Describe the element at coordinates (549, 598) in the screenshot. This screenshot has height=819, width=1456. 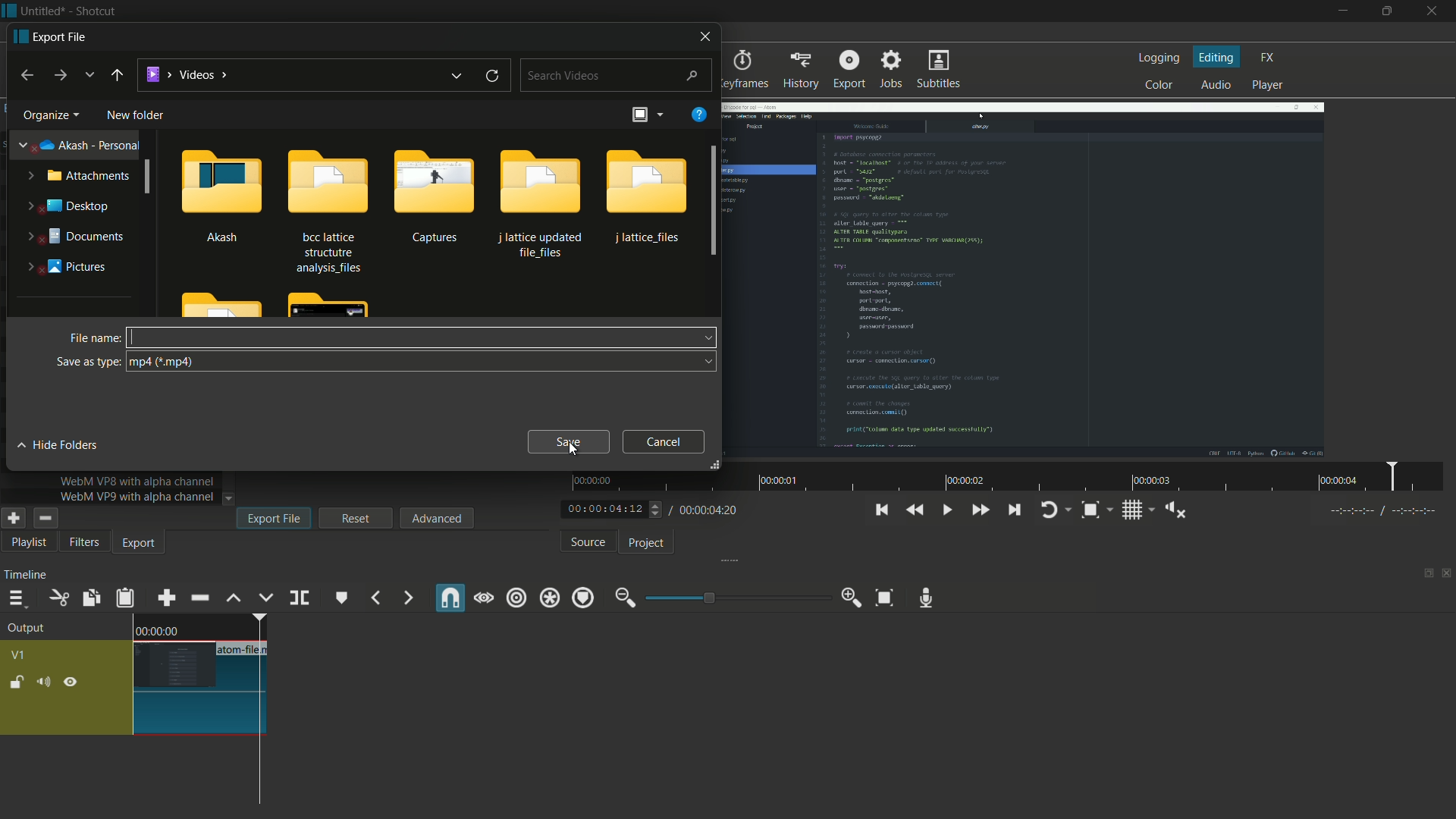
I see `ripple all tracks` at that location.